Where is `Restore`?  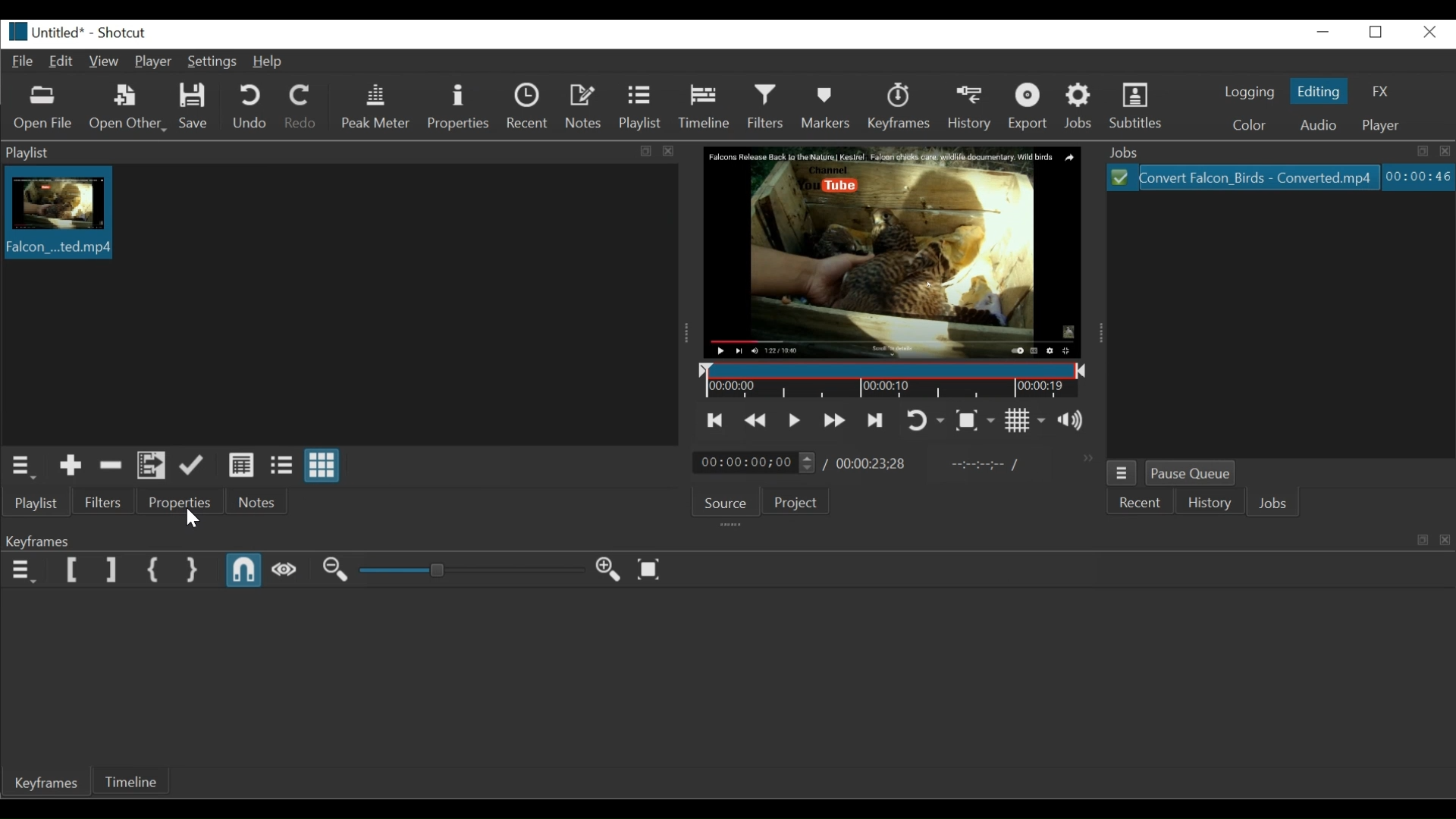
Restore is located at coordinates (1376, 33).